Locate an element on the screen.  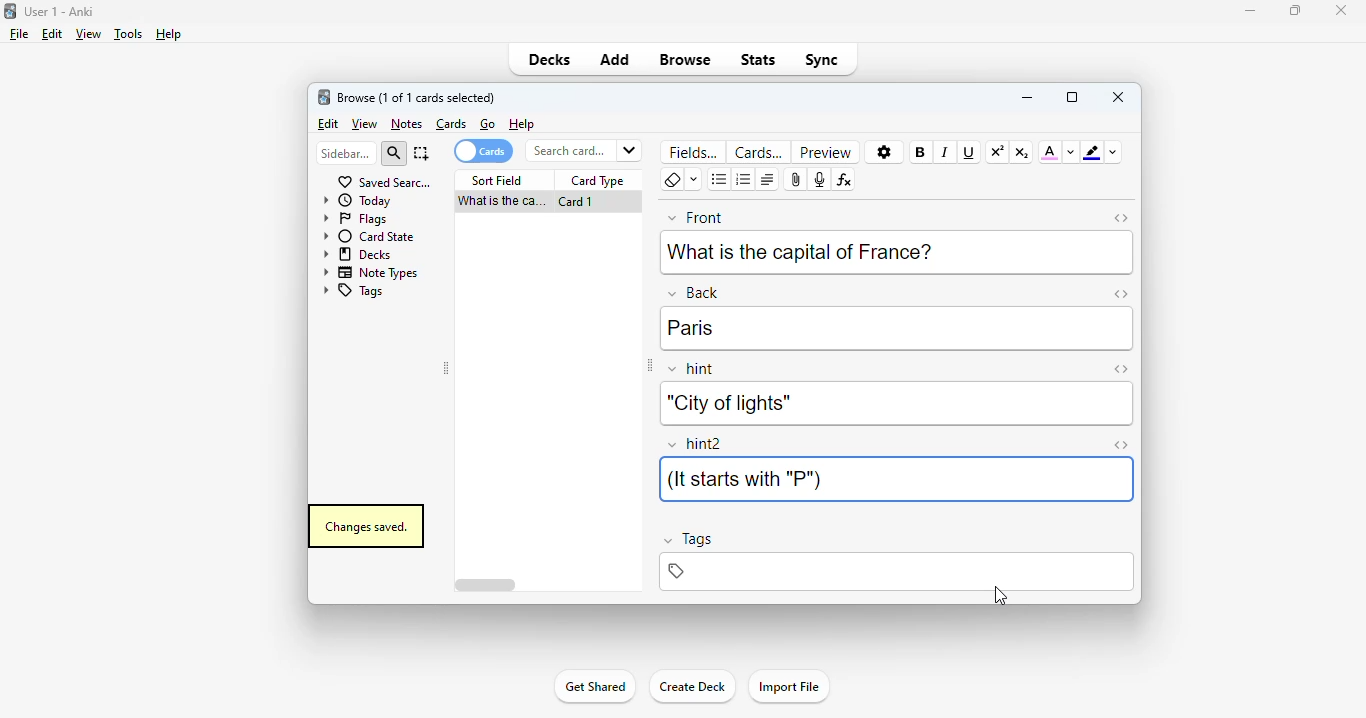
saved searches is located at coordinates (384, 181).